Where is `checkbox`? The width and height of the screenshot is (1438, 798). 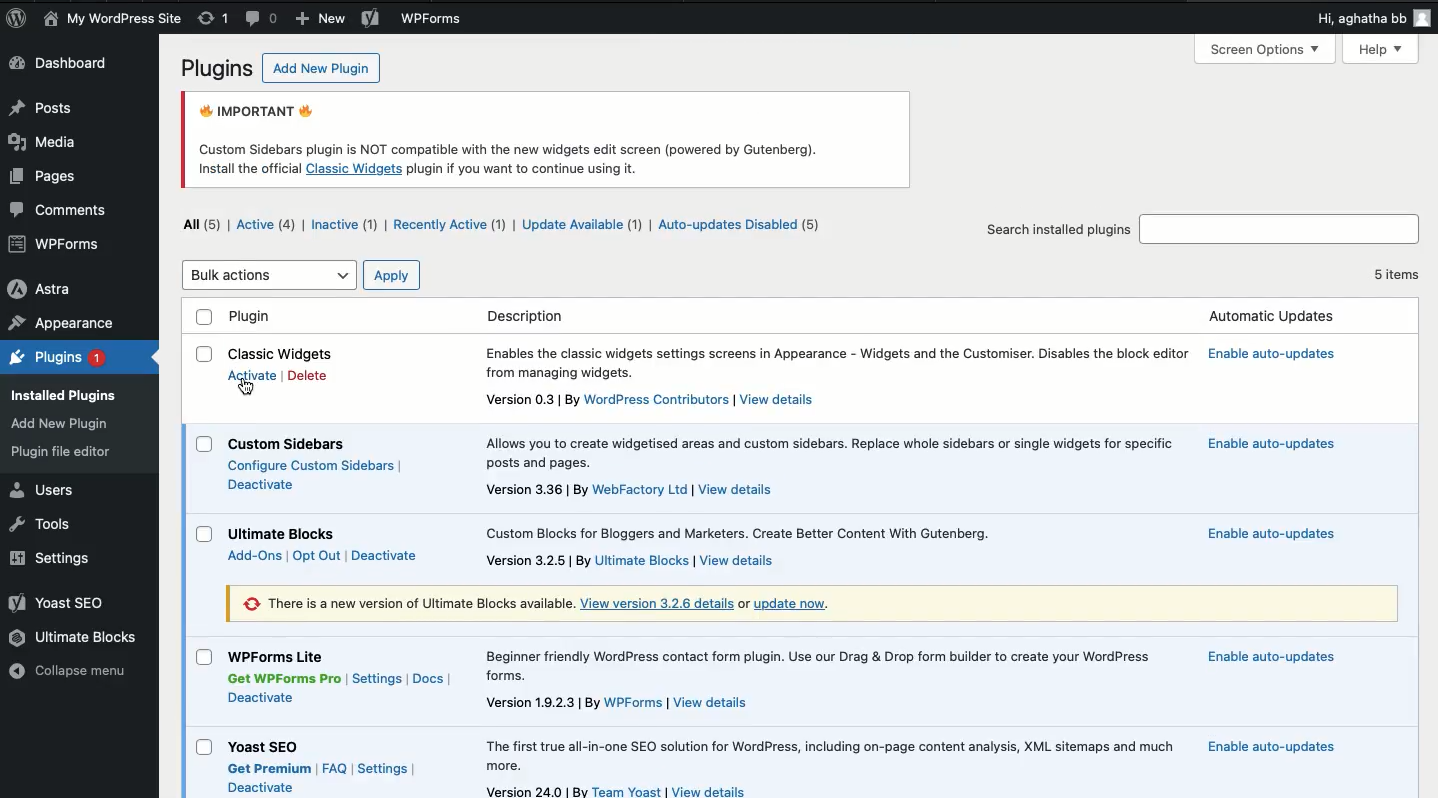 checkbox is located at coordinates (204, 657).